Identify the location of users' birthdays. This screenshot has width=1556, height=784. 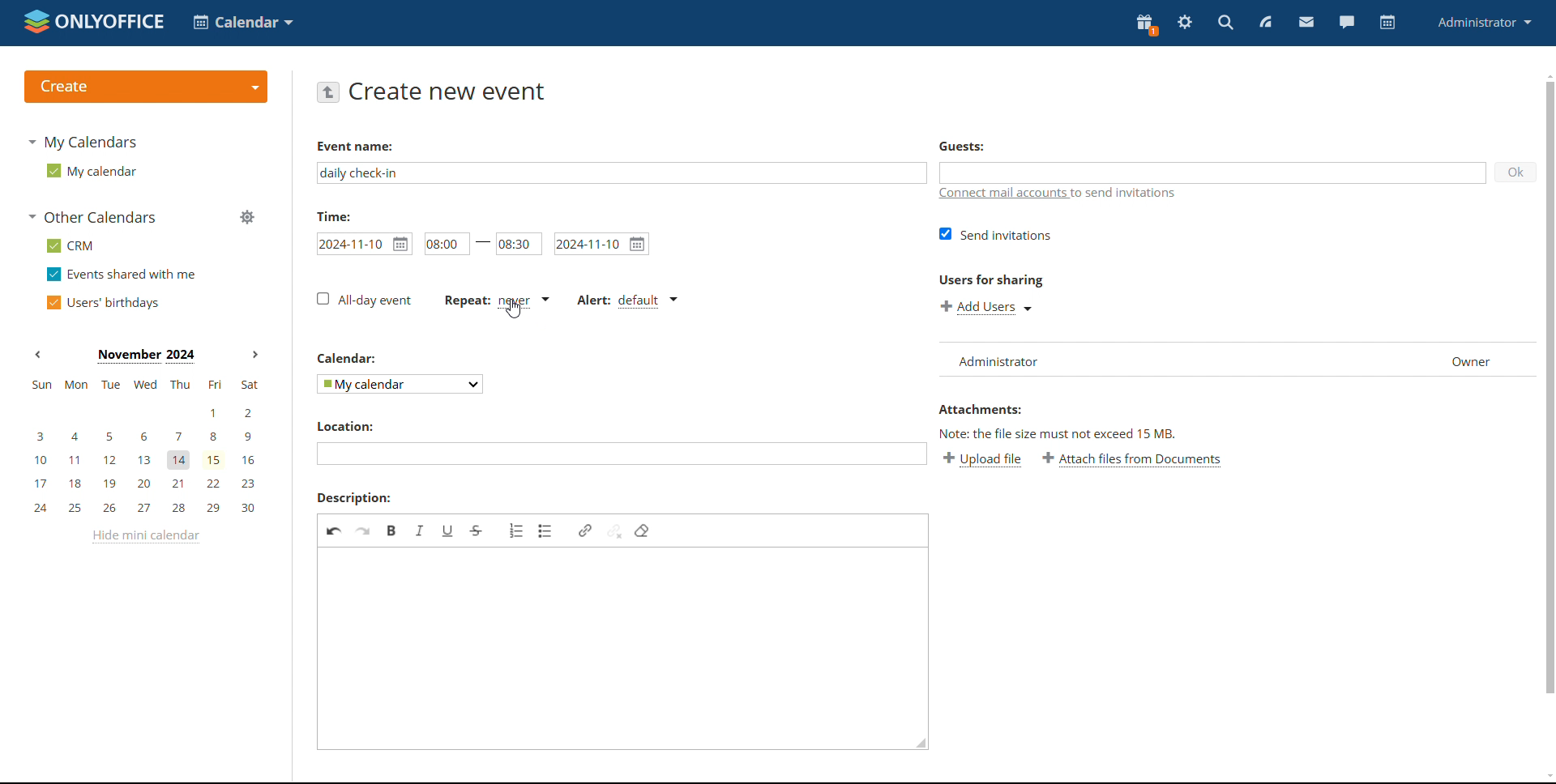
(102, 303).